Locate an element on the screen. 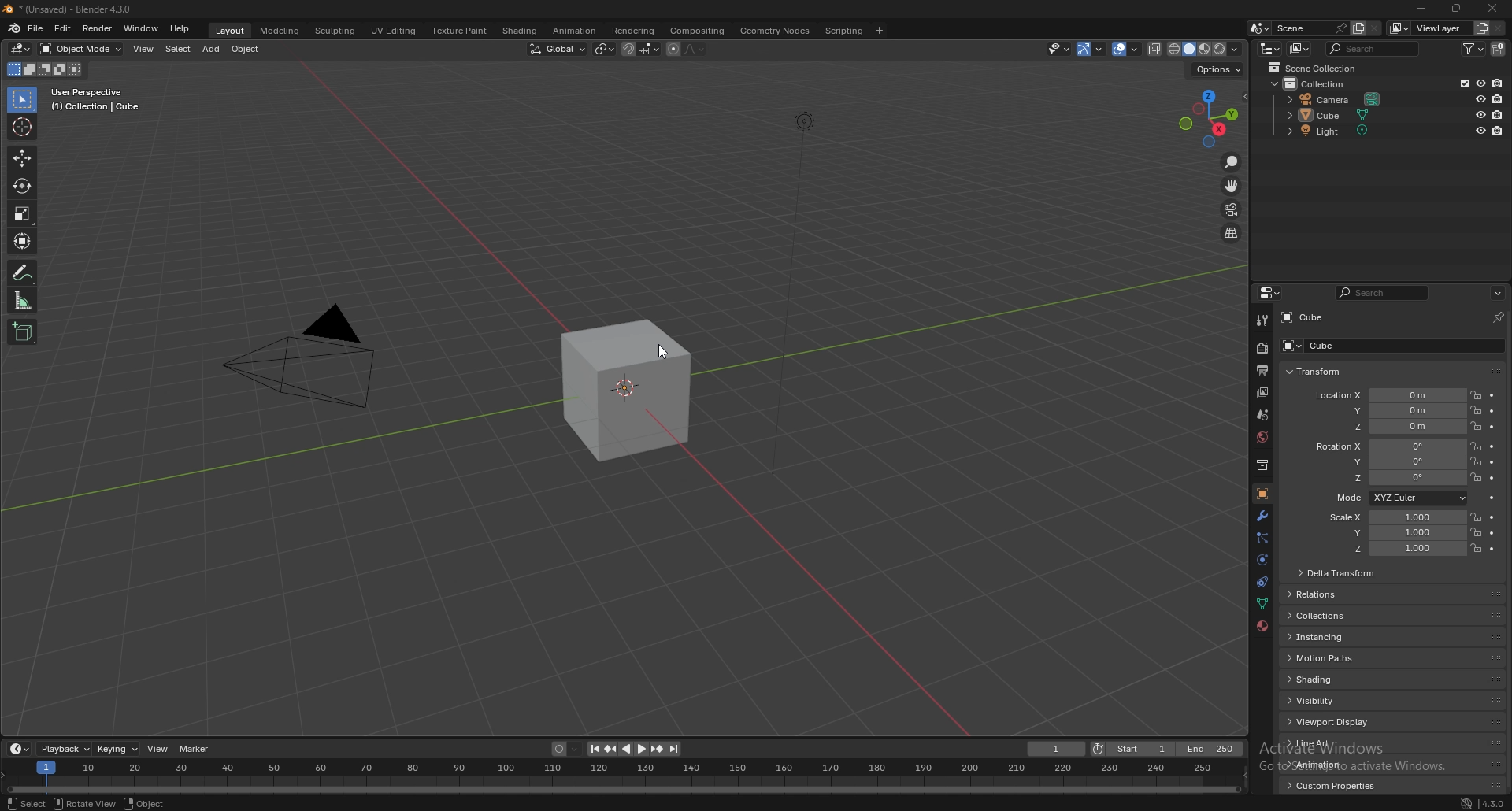 This screenshot has height=811, width=1512. start frame is located at coordinates (1136, 748).